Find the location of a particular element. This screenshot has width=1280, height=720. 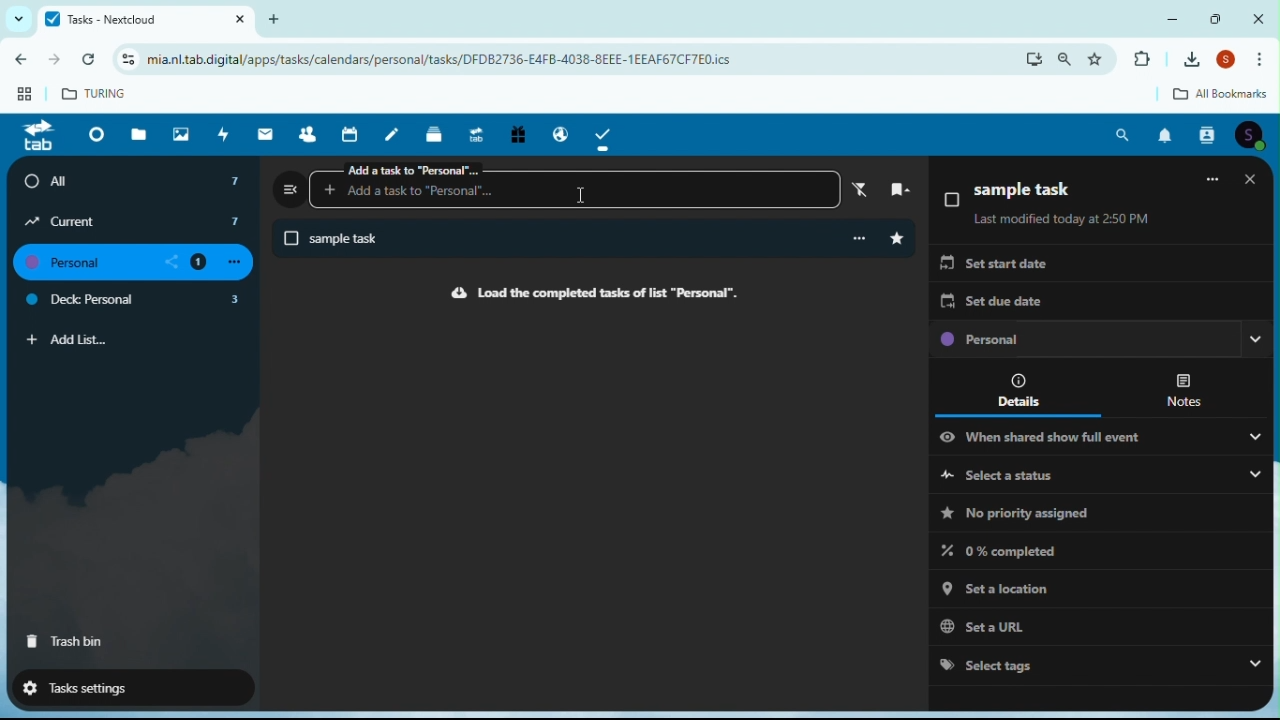

Task is located at coordinates (605, 134).